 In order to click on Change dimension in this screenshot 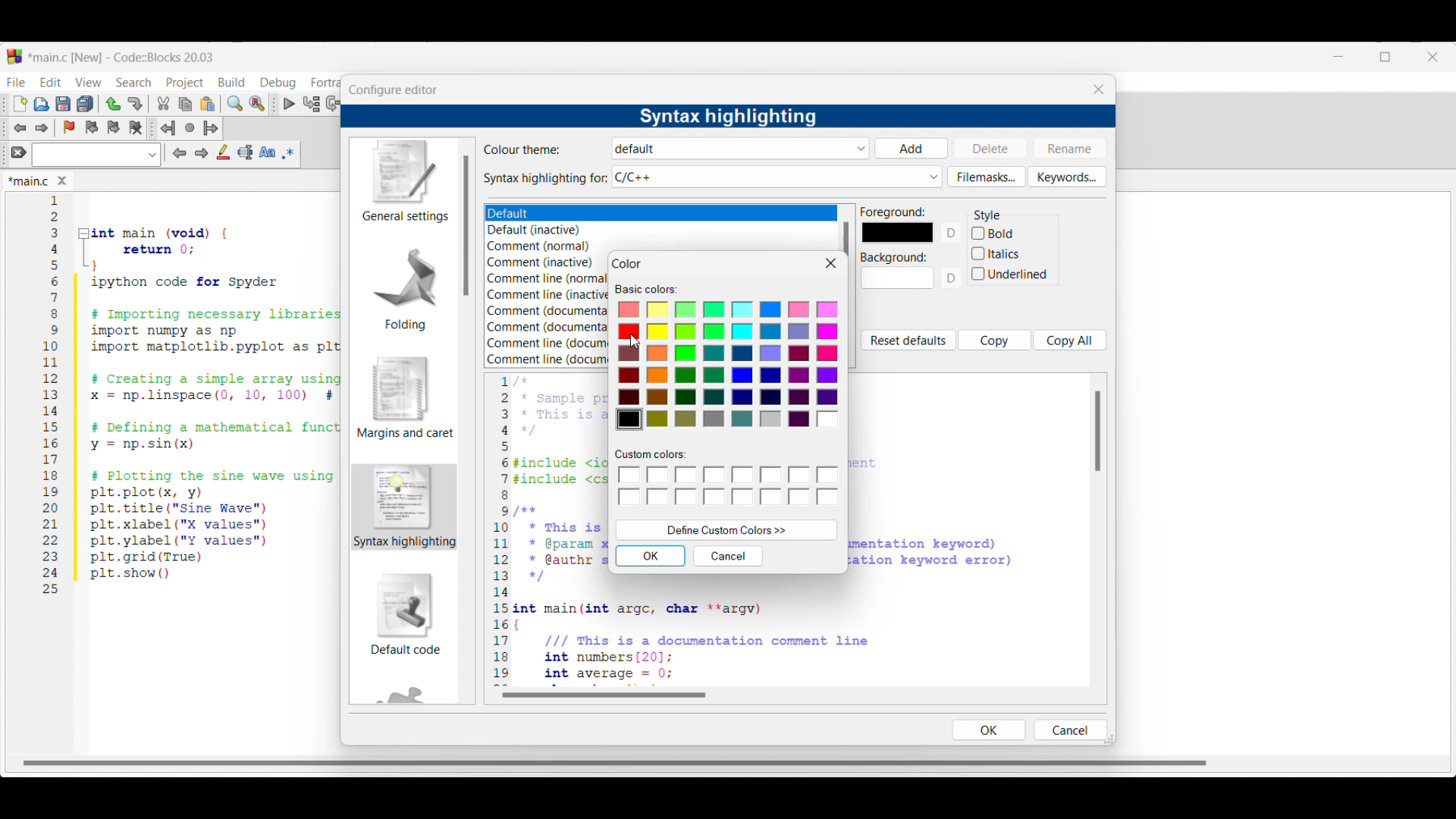, I will do `click(1109, 739)`.